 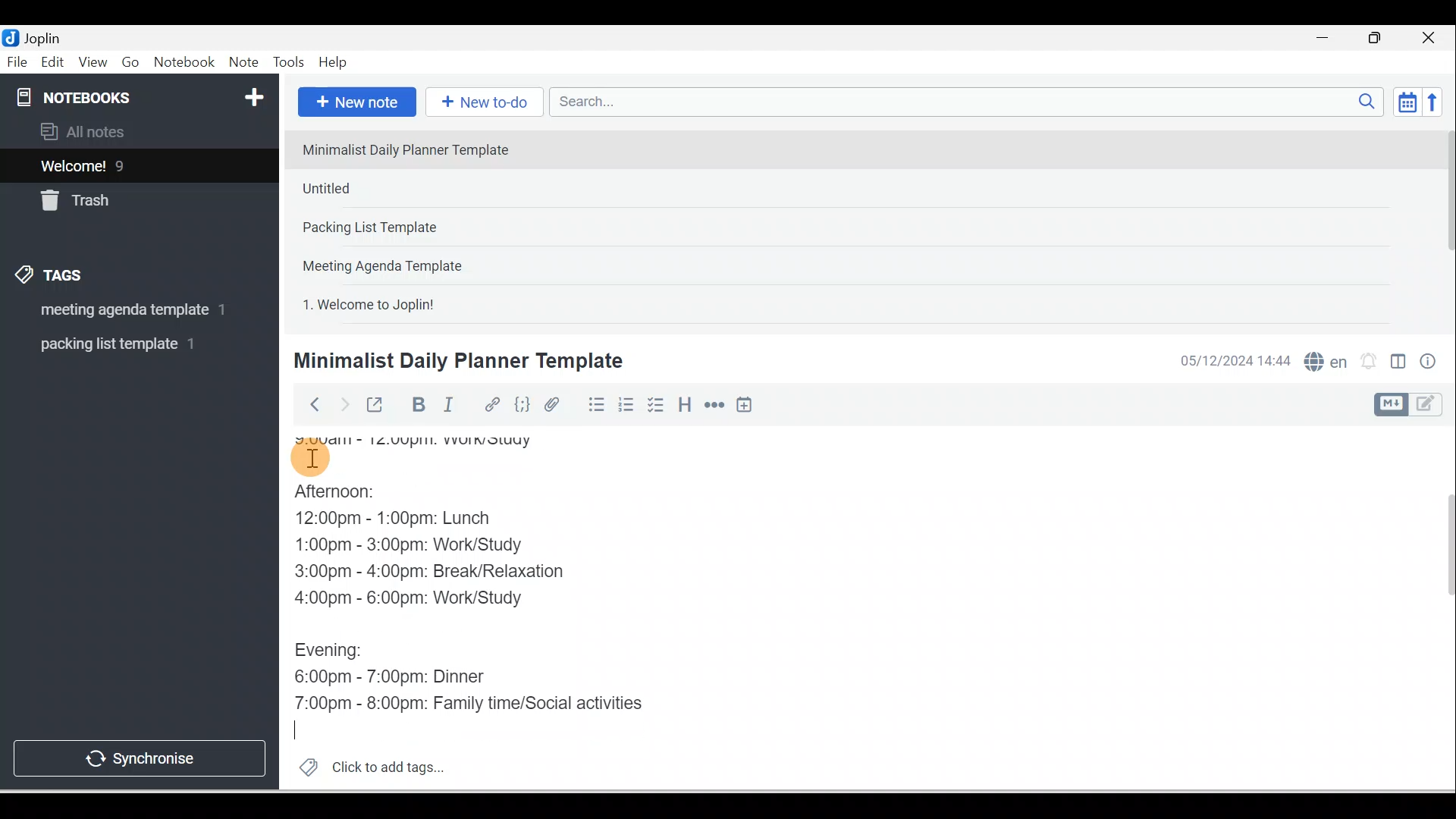 What do you see at coordinates (654, 405) in the screenshot?
I see `Checkbox` at bounding box center [654, 405].